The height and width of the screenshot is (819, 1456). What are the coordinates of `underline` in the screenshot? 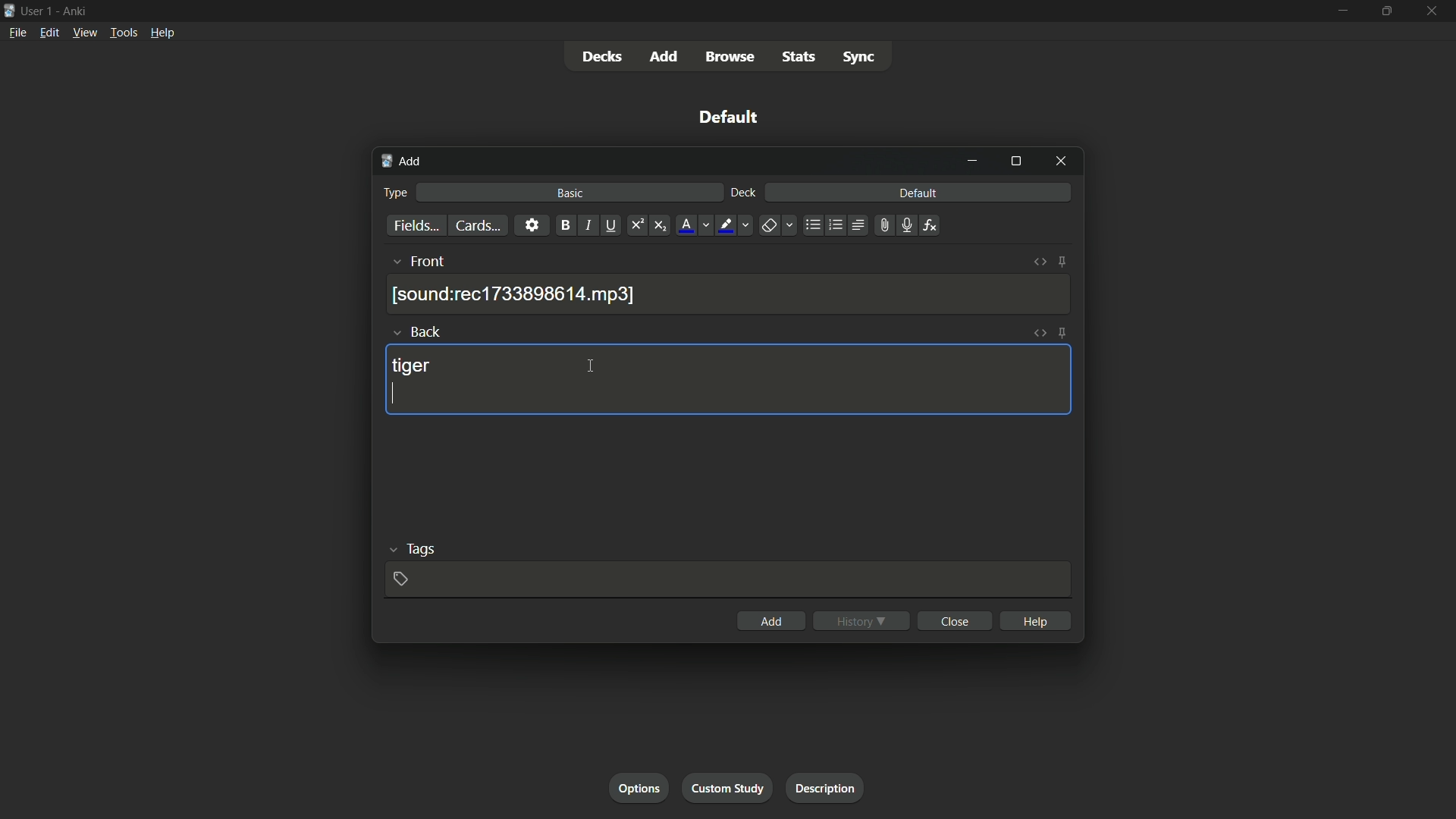 It's located at (613, 225).